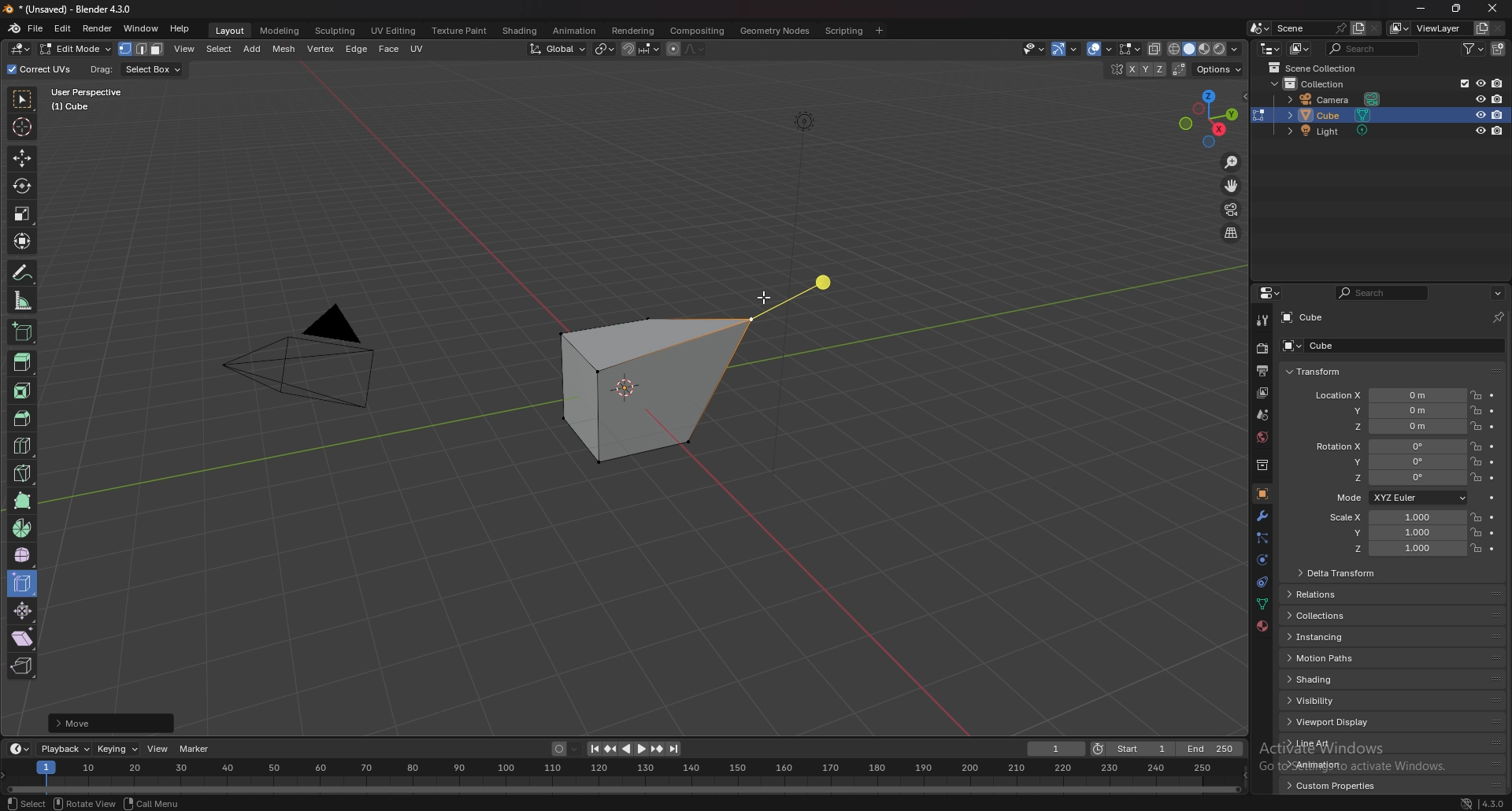 The image size is (1512, 811). I want to click on annotate, so click(22, 272).